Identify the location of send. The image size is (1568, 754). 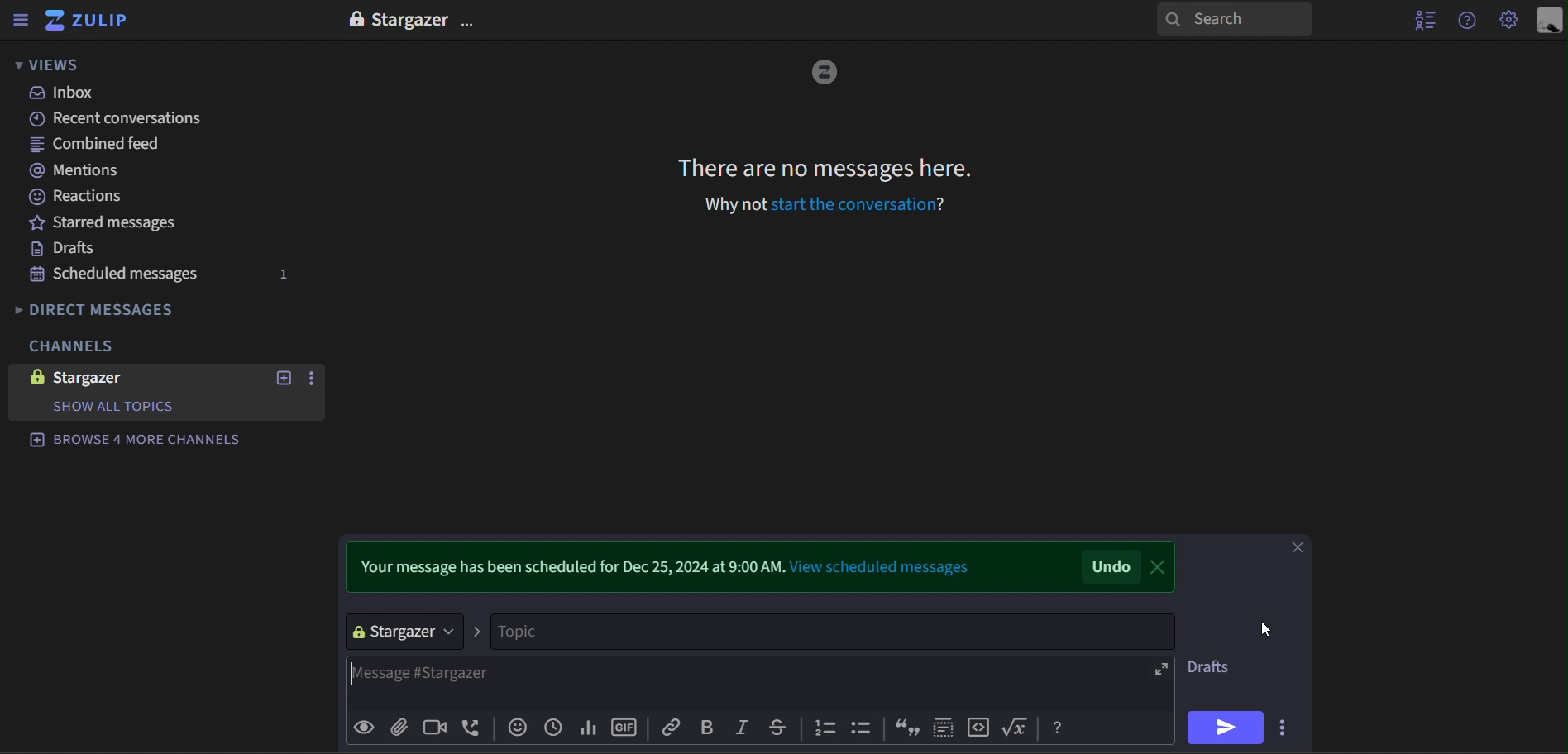
(1227, 728).